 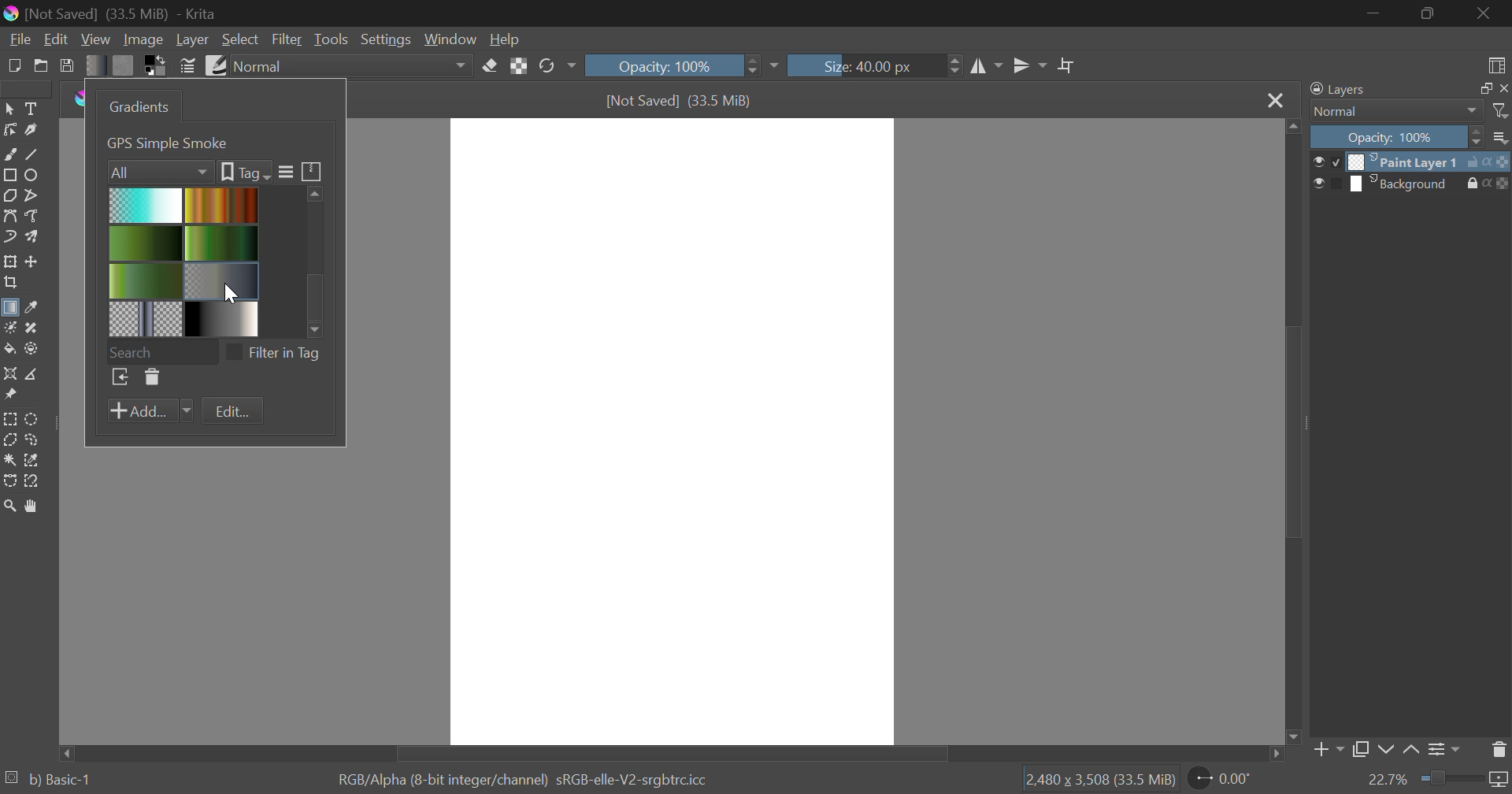 I want to click on Filter Menu, so click(x=284, y=173).